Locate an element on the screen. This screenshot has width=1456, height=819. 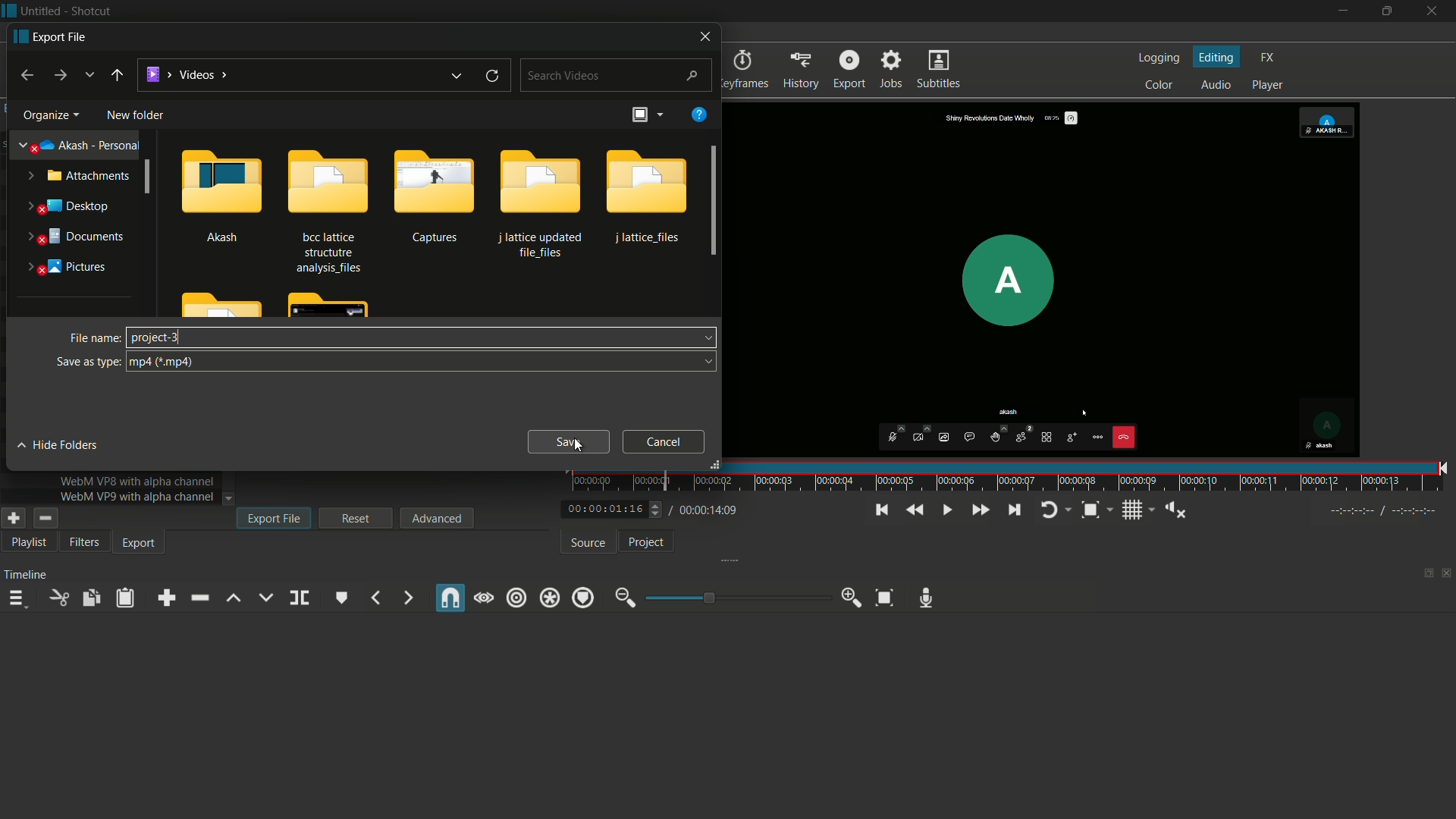
search videos is located at coordinates (618, 75).